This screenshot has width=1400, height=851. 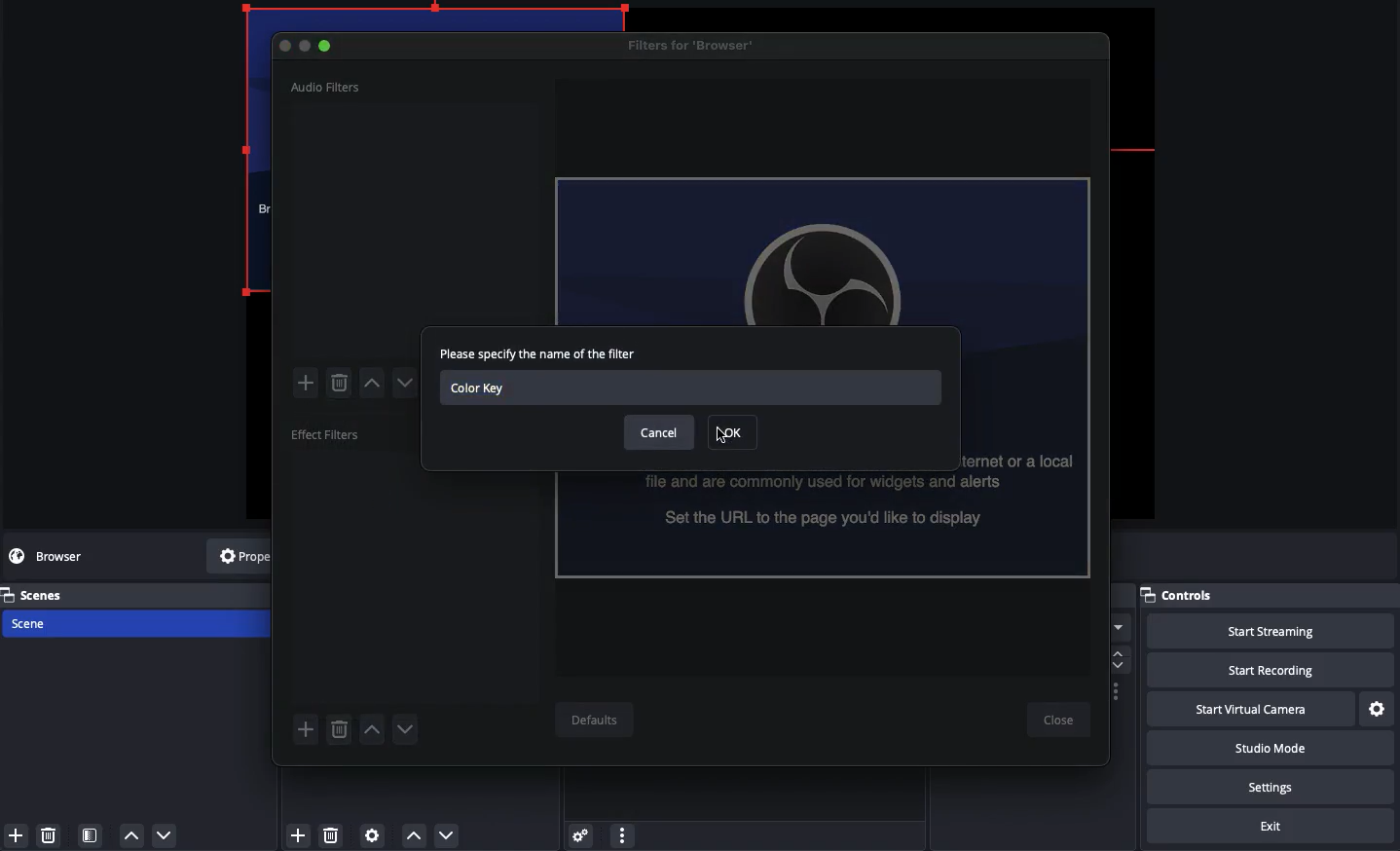 I want to click on Audio filters, so click(x=327, y=87).